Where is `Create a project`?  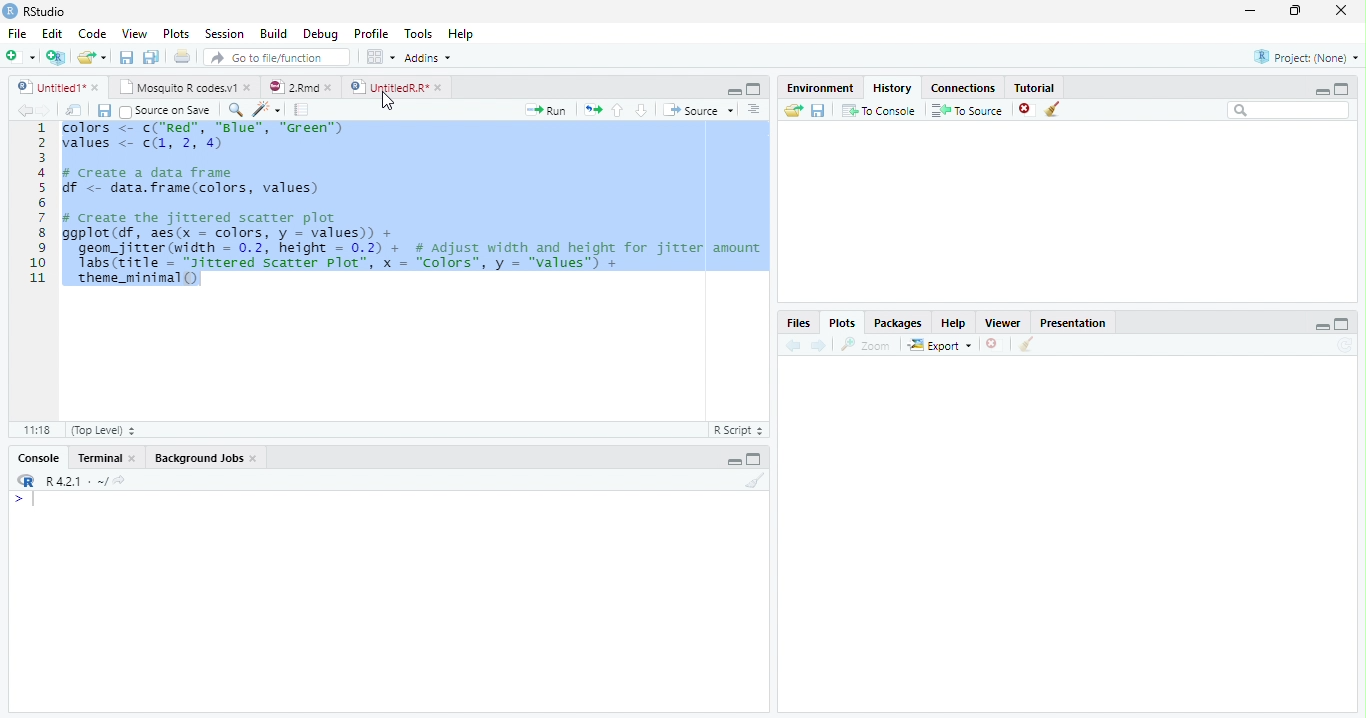
Create a project is located at coordinates (55, 57).